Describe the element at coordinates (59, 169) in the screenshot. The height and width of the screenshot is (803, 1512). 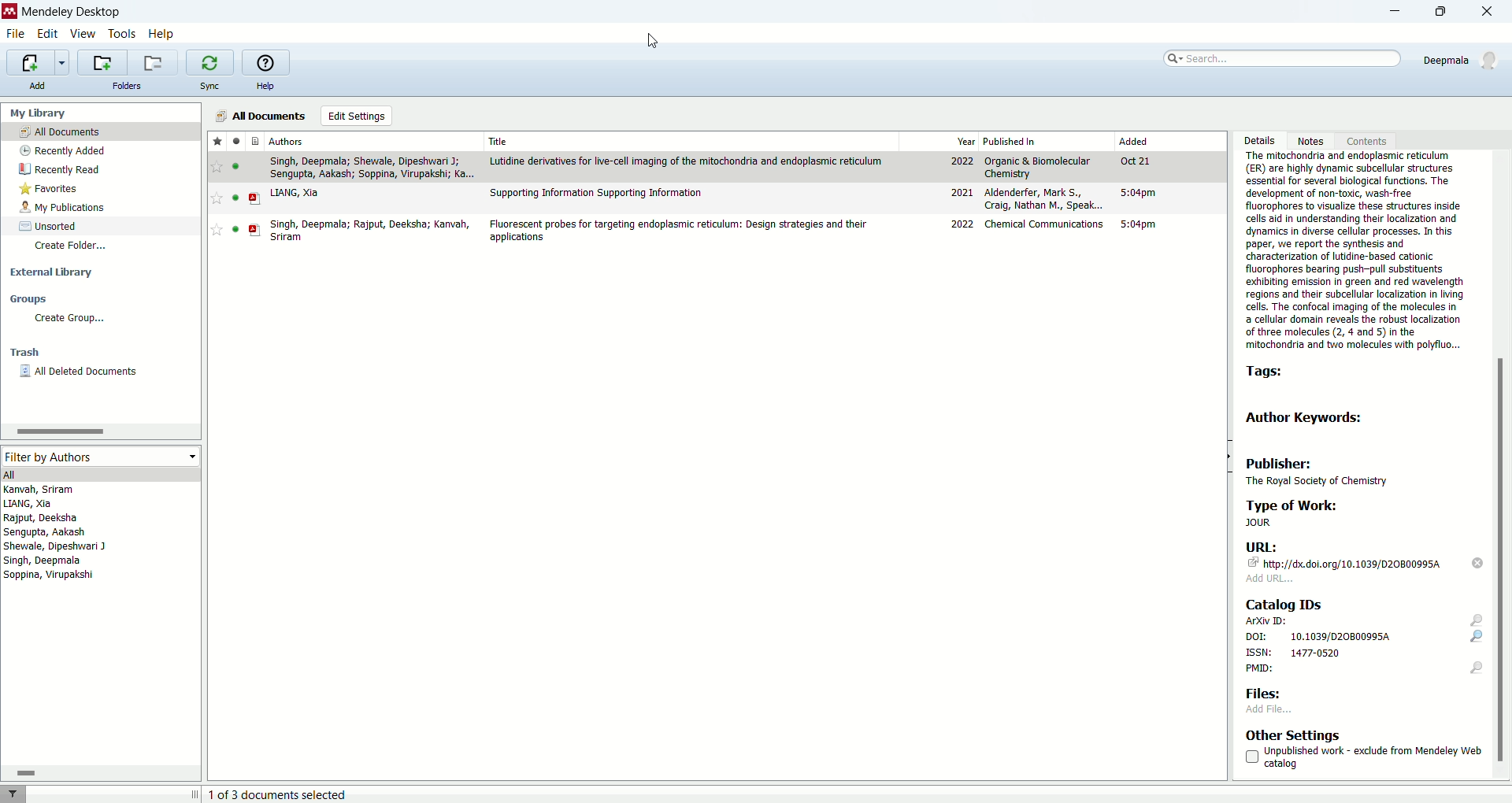
I see `recently read` at that location.